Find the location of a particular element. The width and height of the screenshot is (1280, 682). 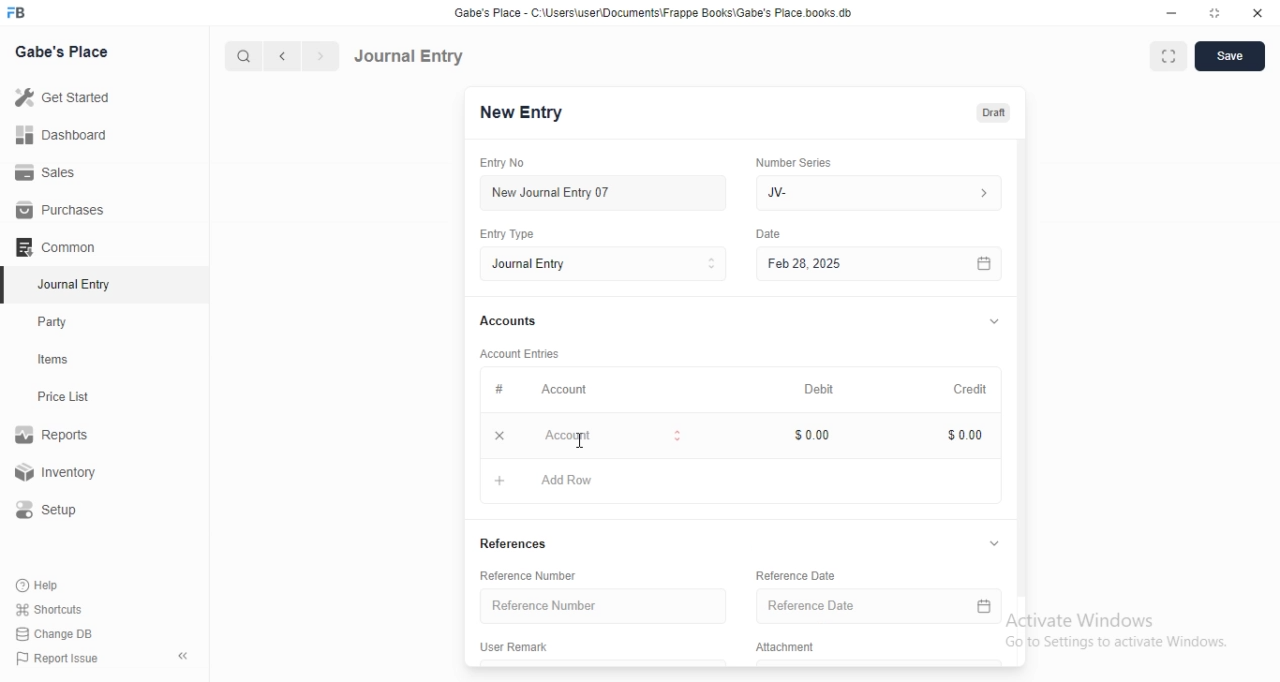

+ AddRow is located at coordinates (544, 484).